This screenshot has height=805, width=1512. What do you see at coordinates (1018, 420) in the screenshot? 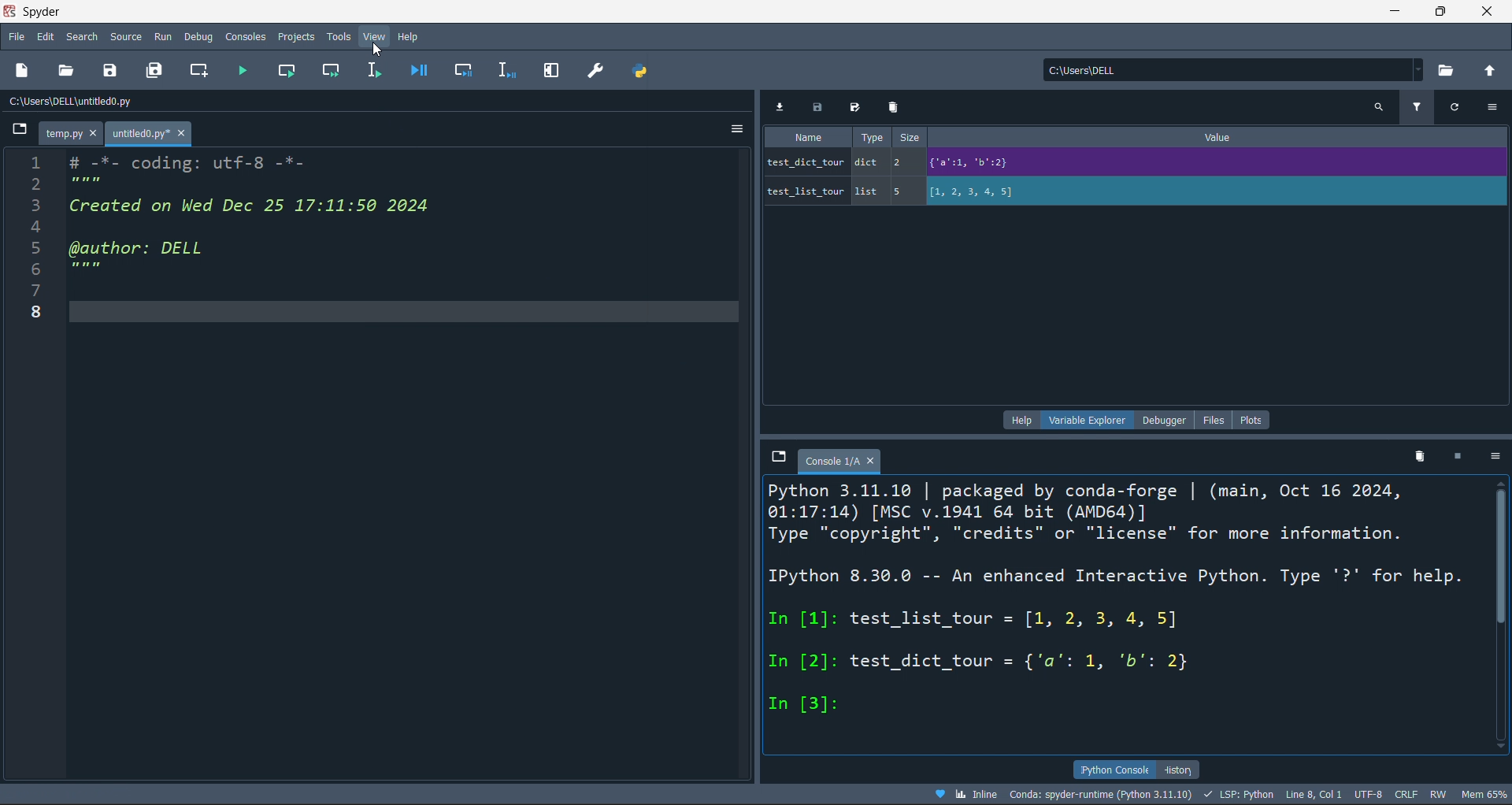
I see `help` at bounding box center [1018, 420].